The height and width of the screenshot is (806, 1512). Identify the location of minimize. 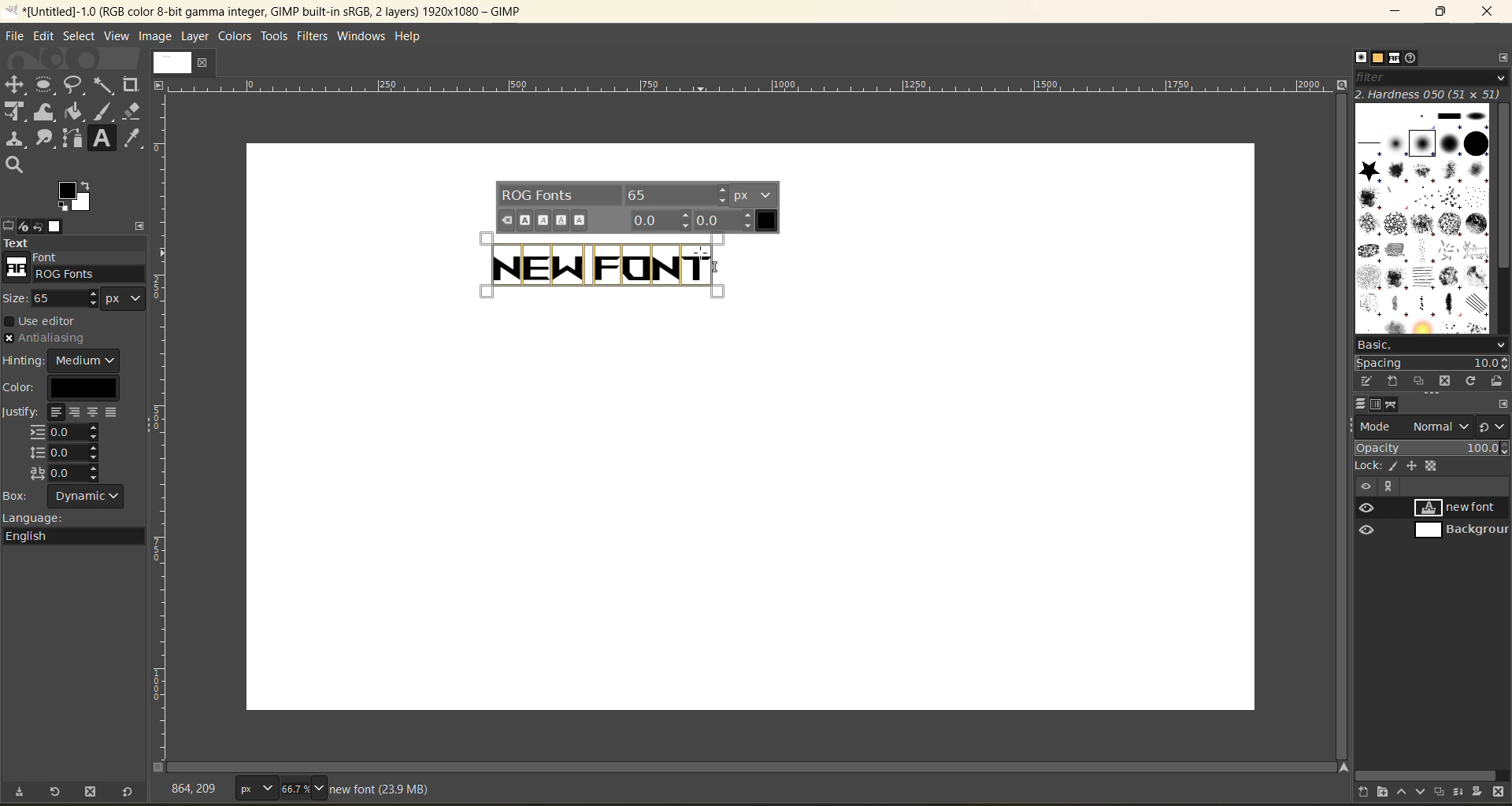
(1397, 12).